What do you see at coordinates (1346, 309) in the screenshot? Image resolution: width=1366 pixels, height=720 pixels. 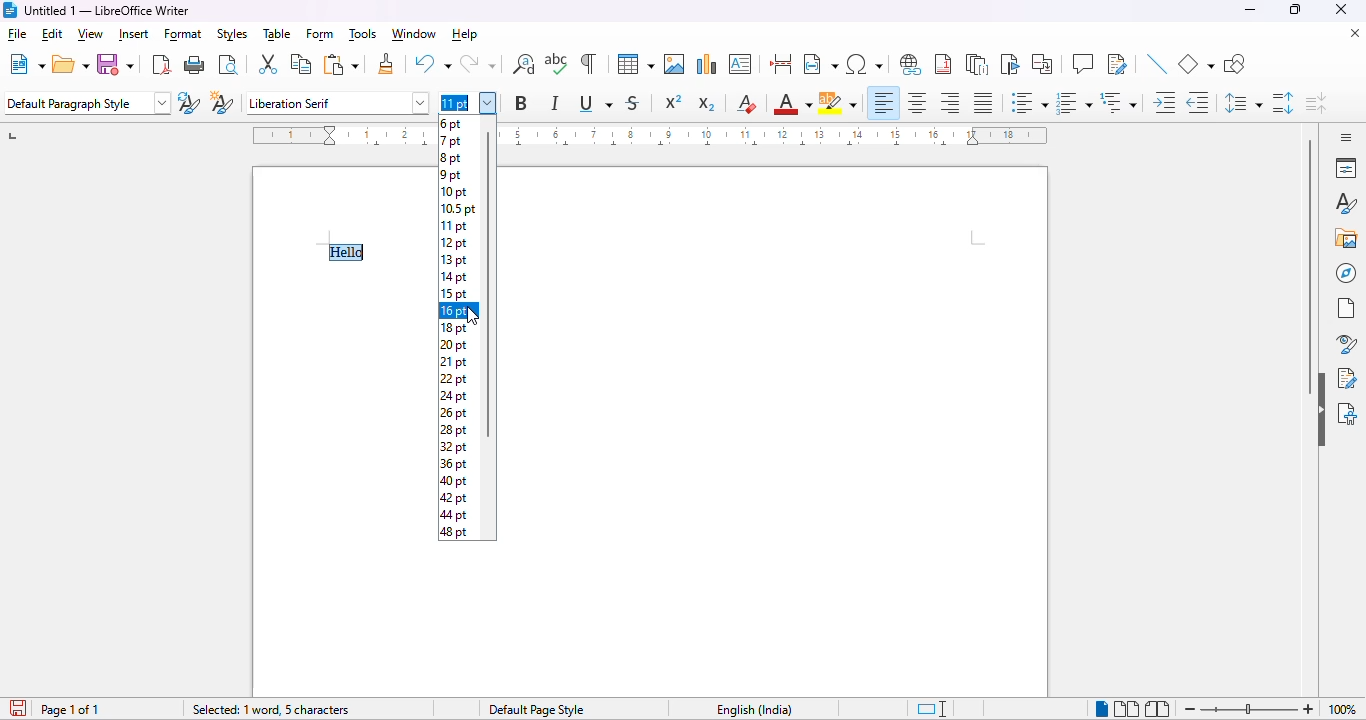 I see `page` at bounding box center [1346, 309].